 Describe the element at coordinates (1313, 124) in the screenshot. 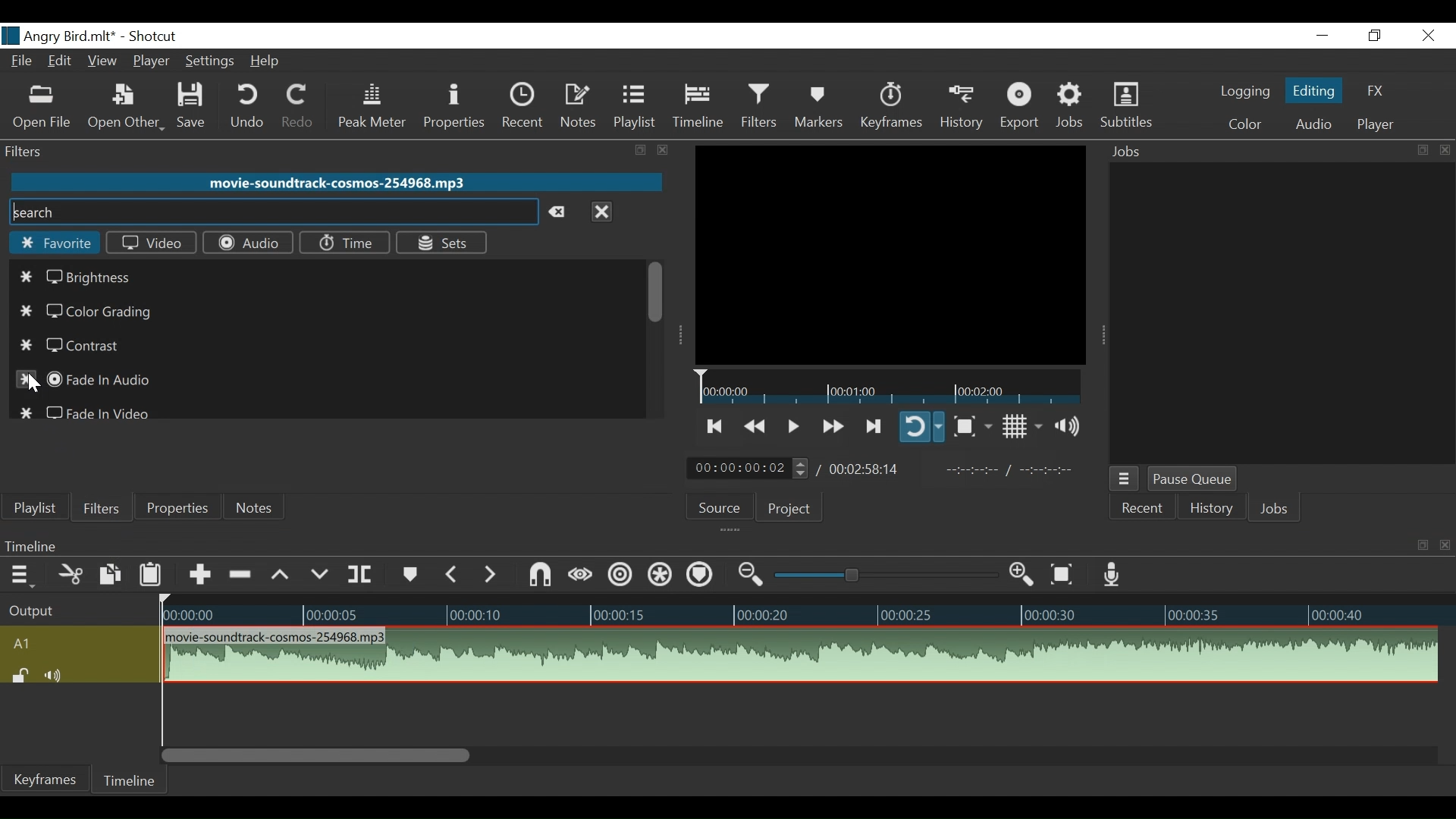

I see `Audio` at that location.